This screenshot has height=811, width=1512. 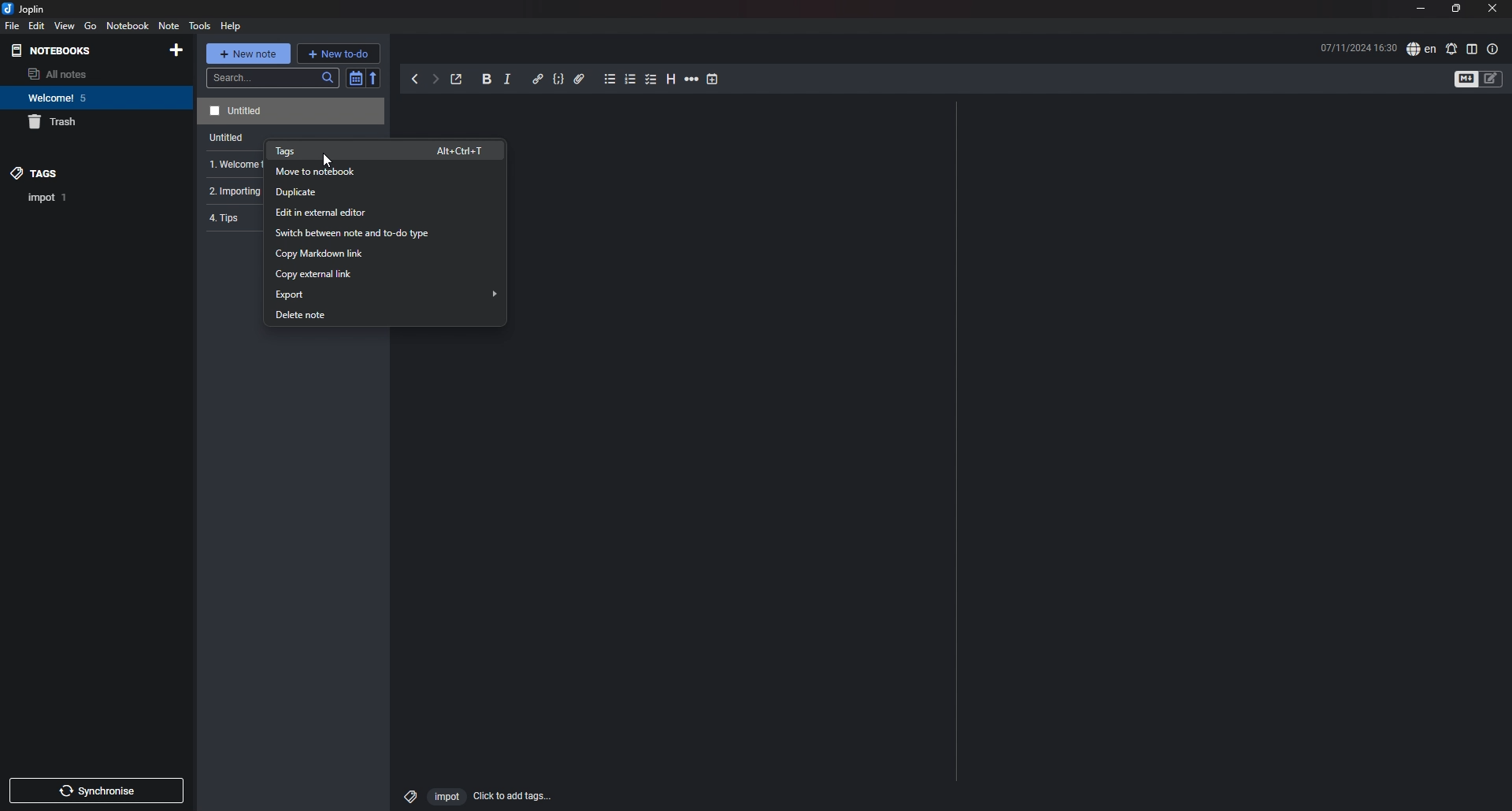 I want to click on duplicate, so click(x=384, y=193).